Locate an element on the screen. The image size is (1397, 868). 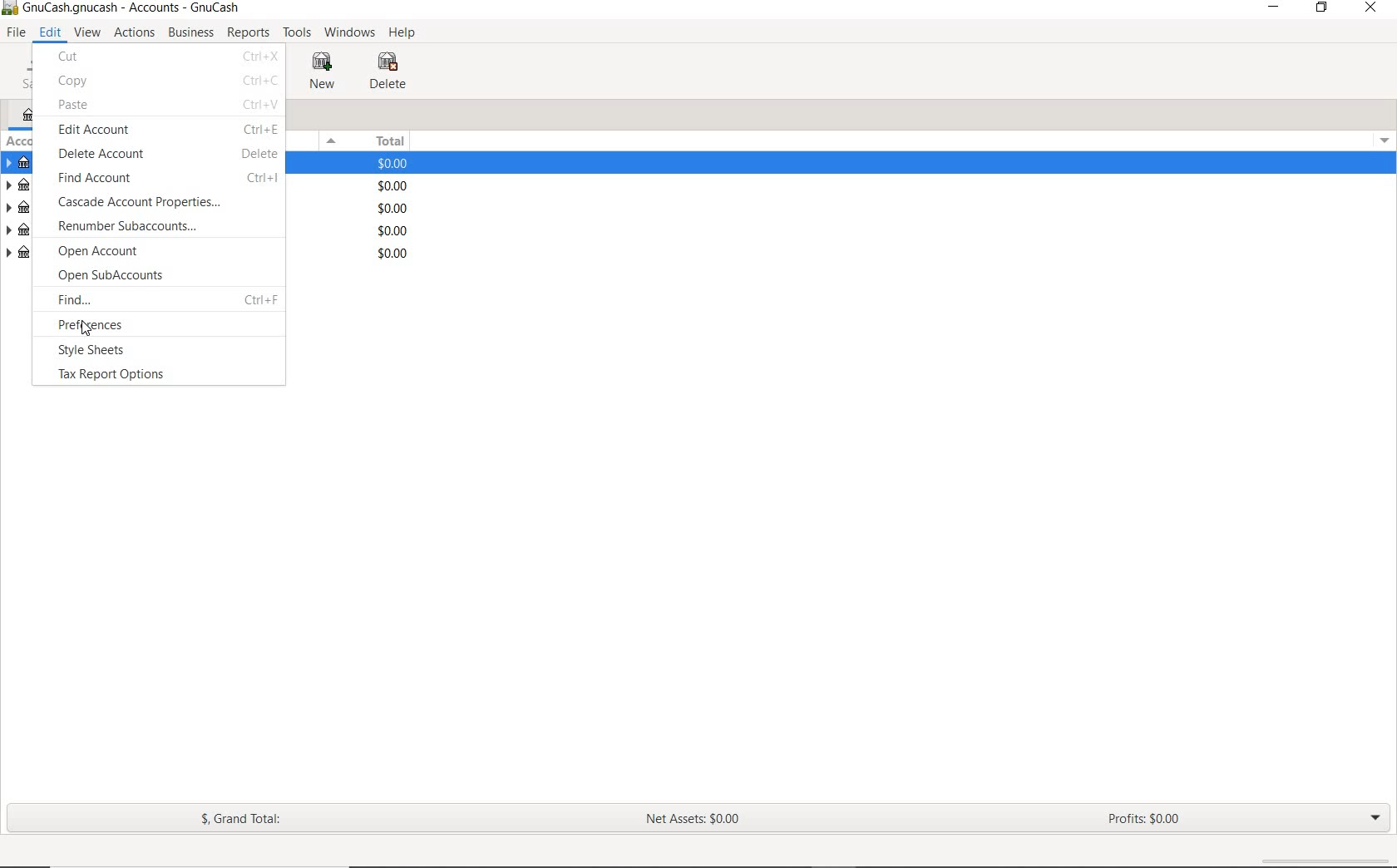
FIND is located at coordinates (165, 302).